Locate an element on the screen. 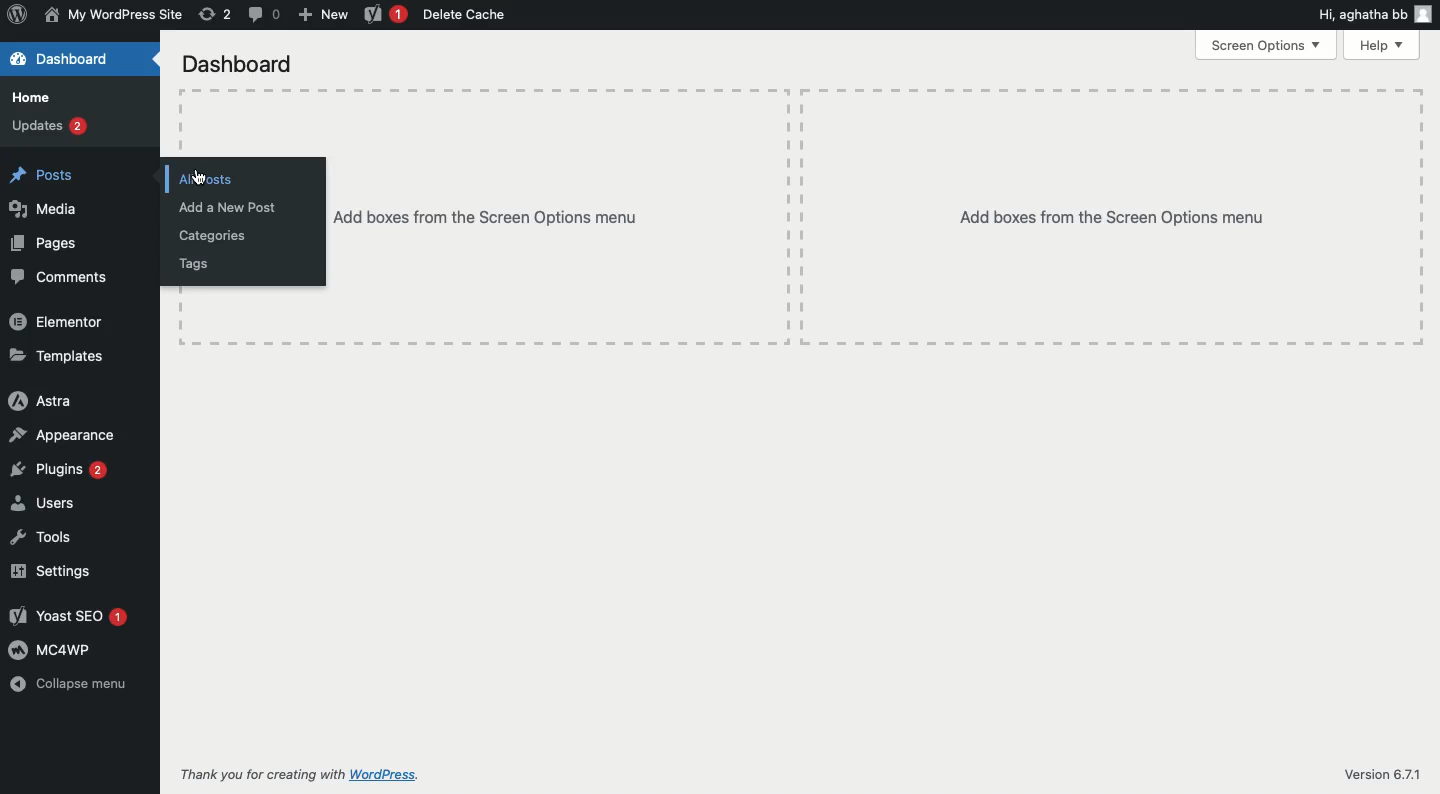 This screenshot has width=1440, height=794. Categories is located at coordinates (209, 237).